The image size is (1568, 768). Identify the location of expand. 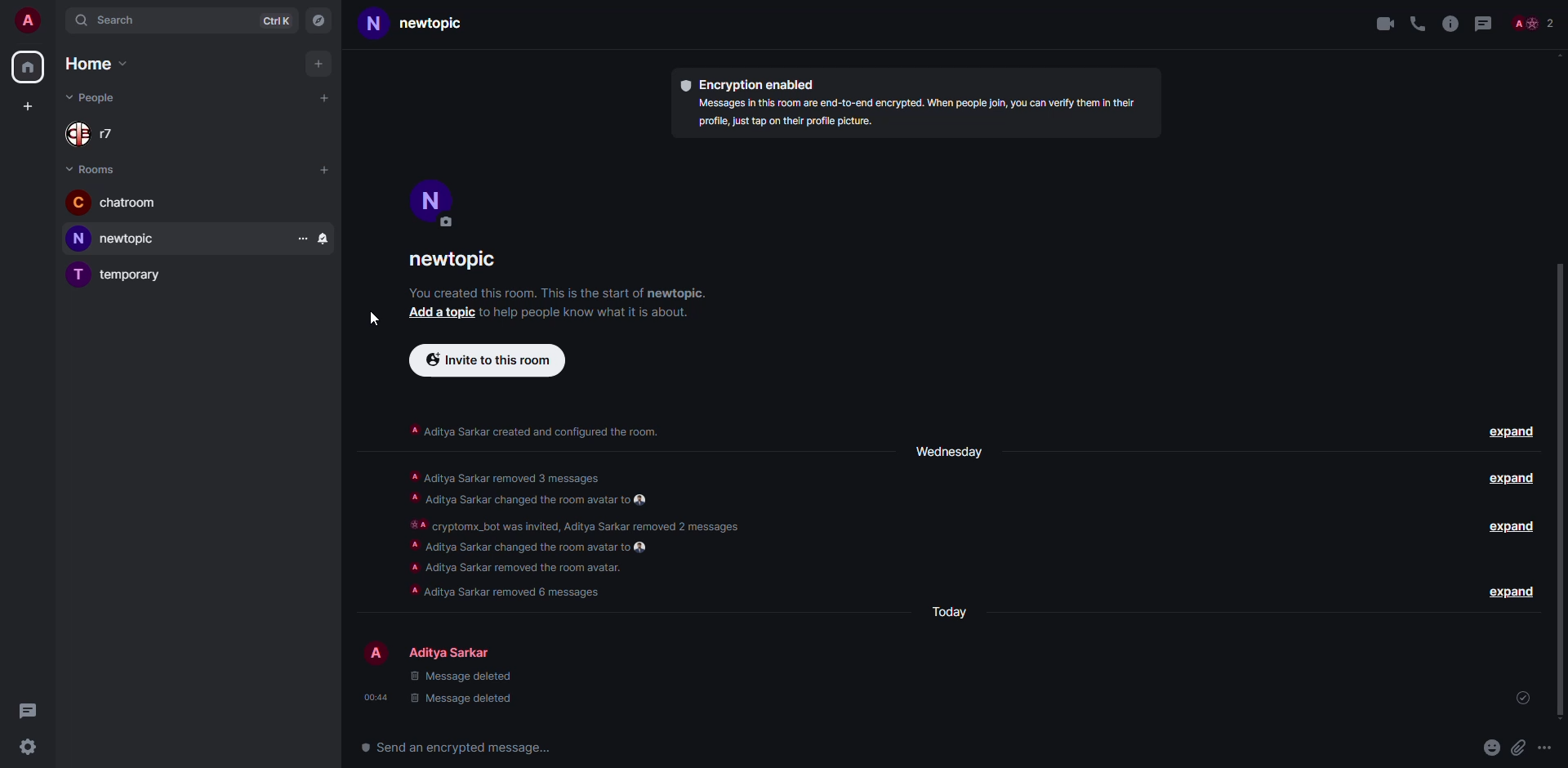
(1511, 592).